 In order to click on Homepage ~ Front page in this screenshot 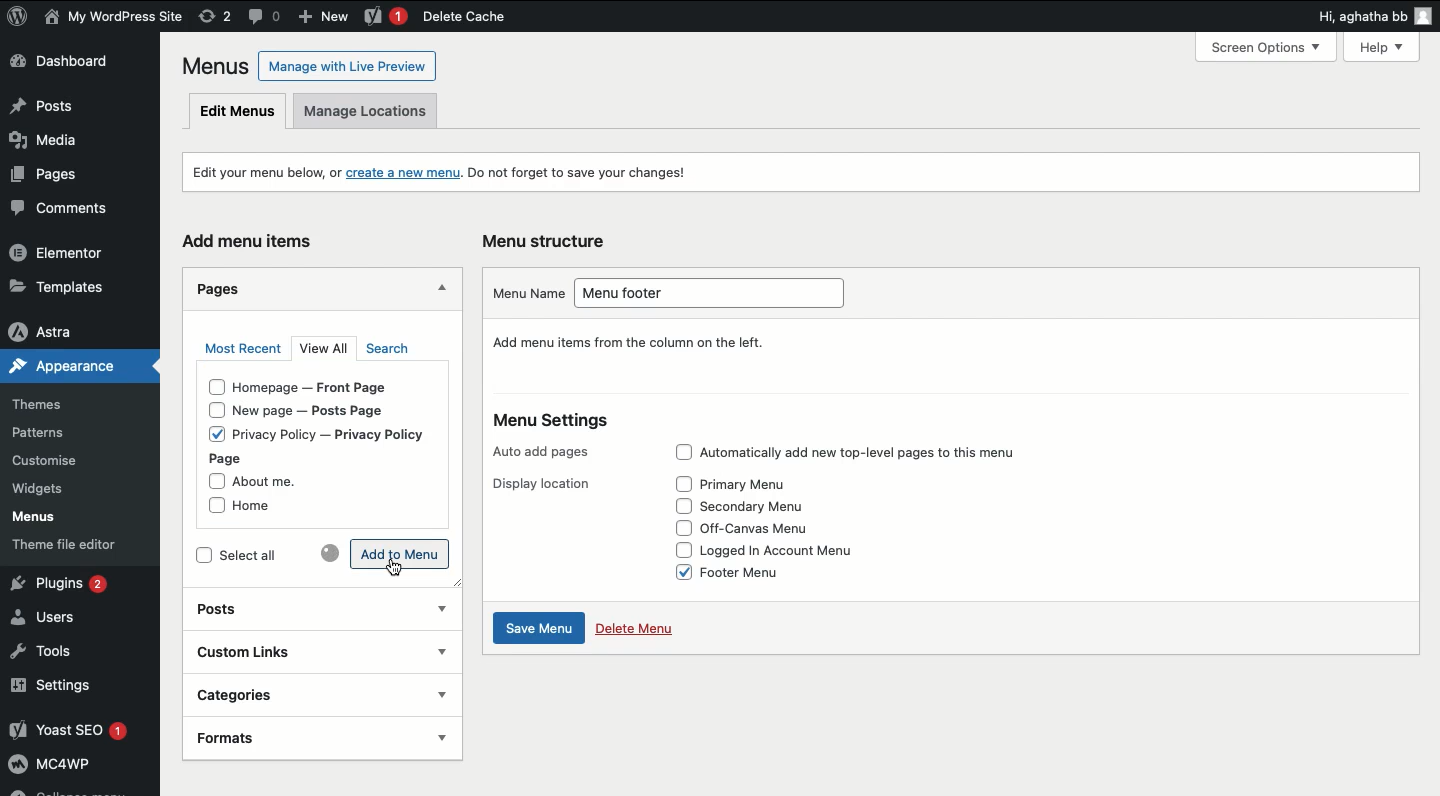, I will do `click(324, 390)`.